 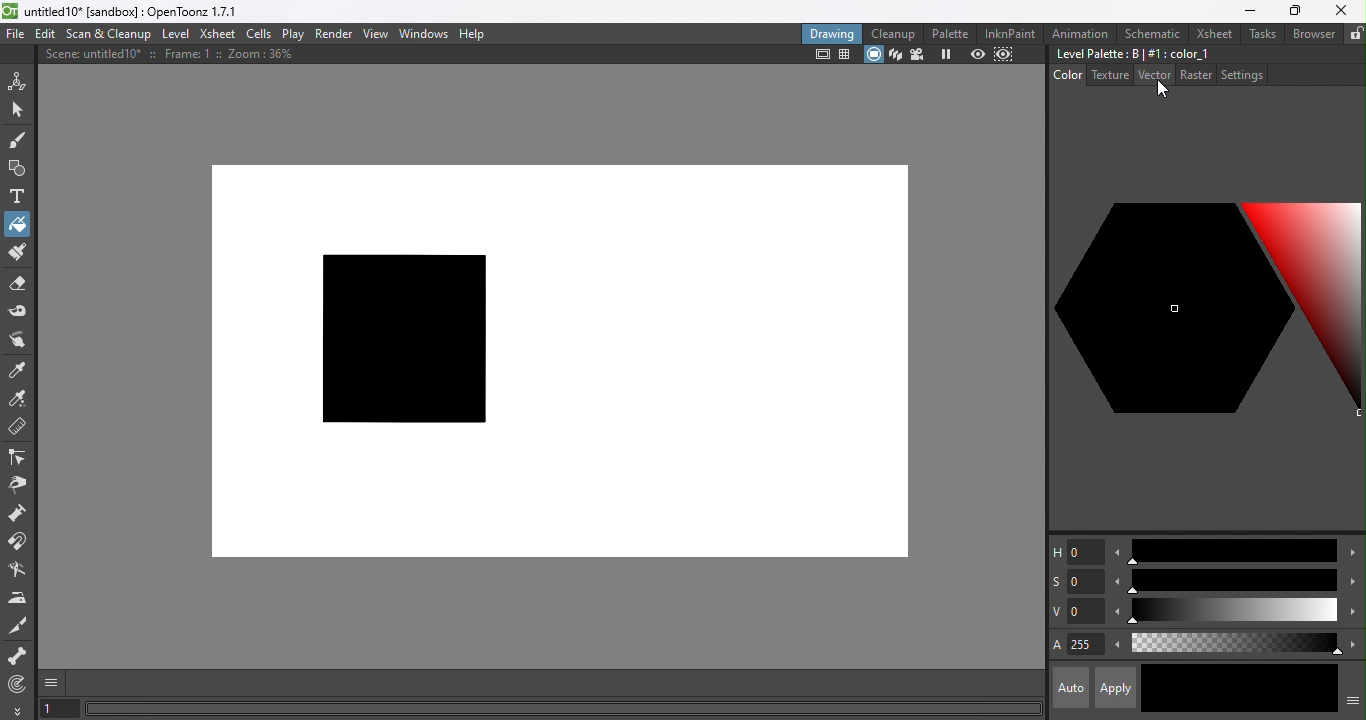 What do you see at coordinates (1117, 552) in the screenshot?
I see `Decrease` at bounding box center [1117, 552].